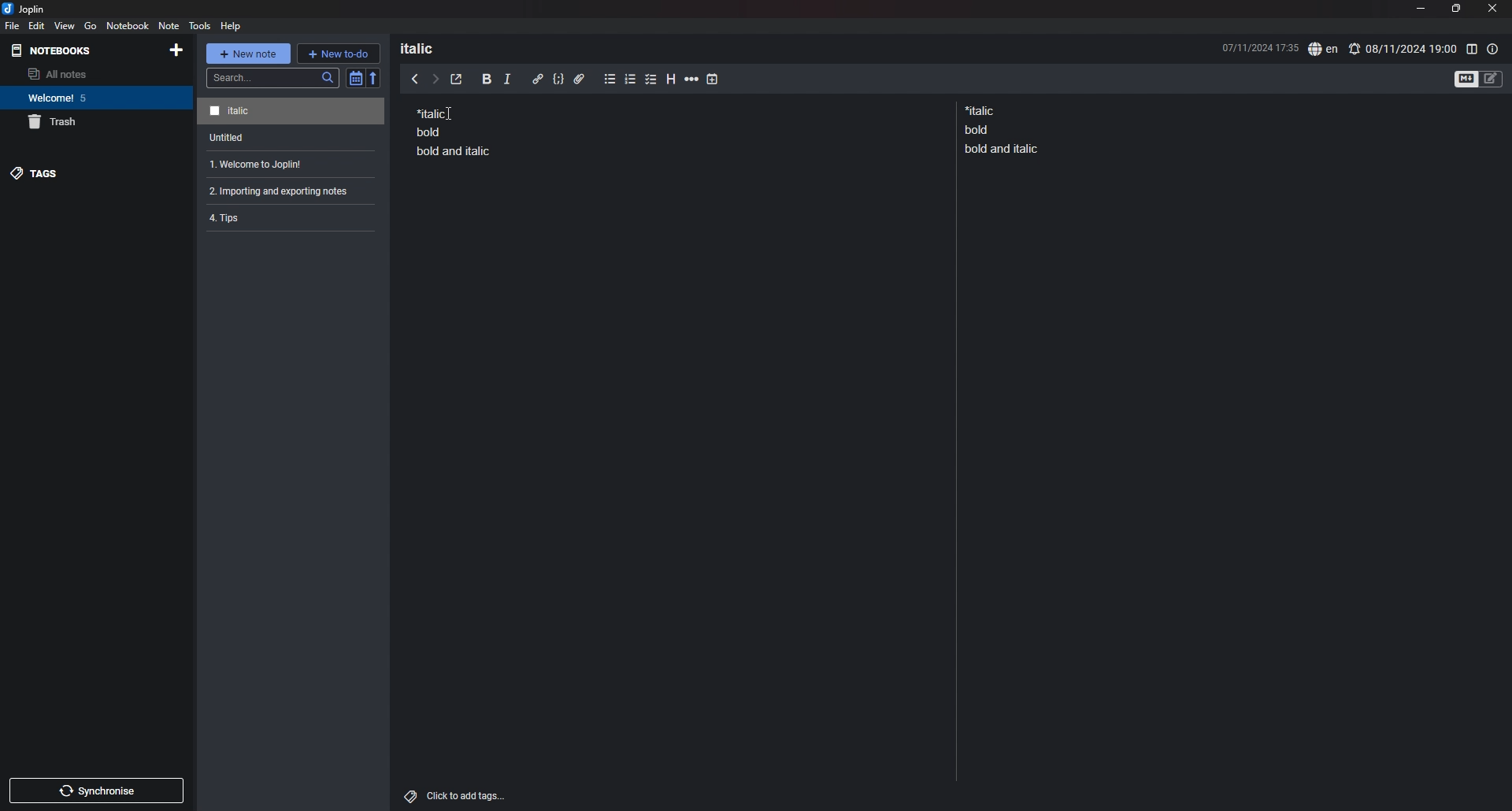 This screenshot has height=811, width=1512. What do you see at coordinates (538, 79) in the screenshot?
I see `hyperlink` at bounding box center [538, 79].